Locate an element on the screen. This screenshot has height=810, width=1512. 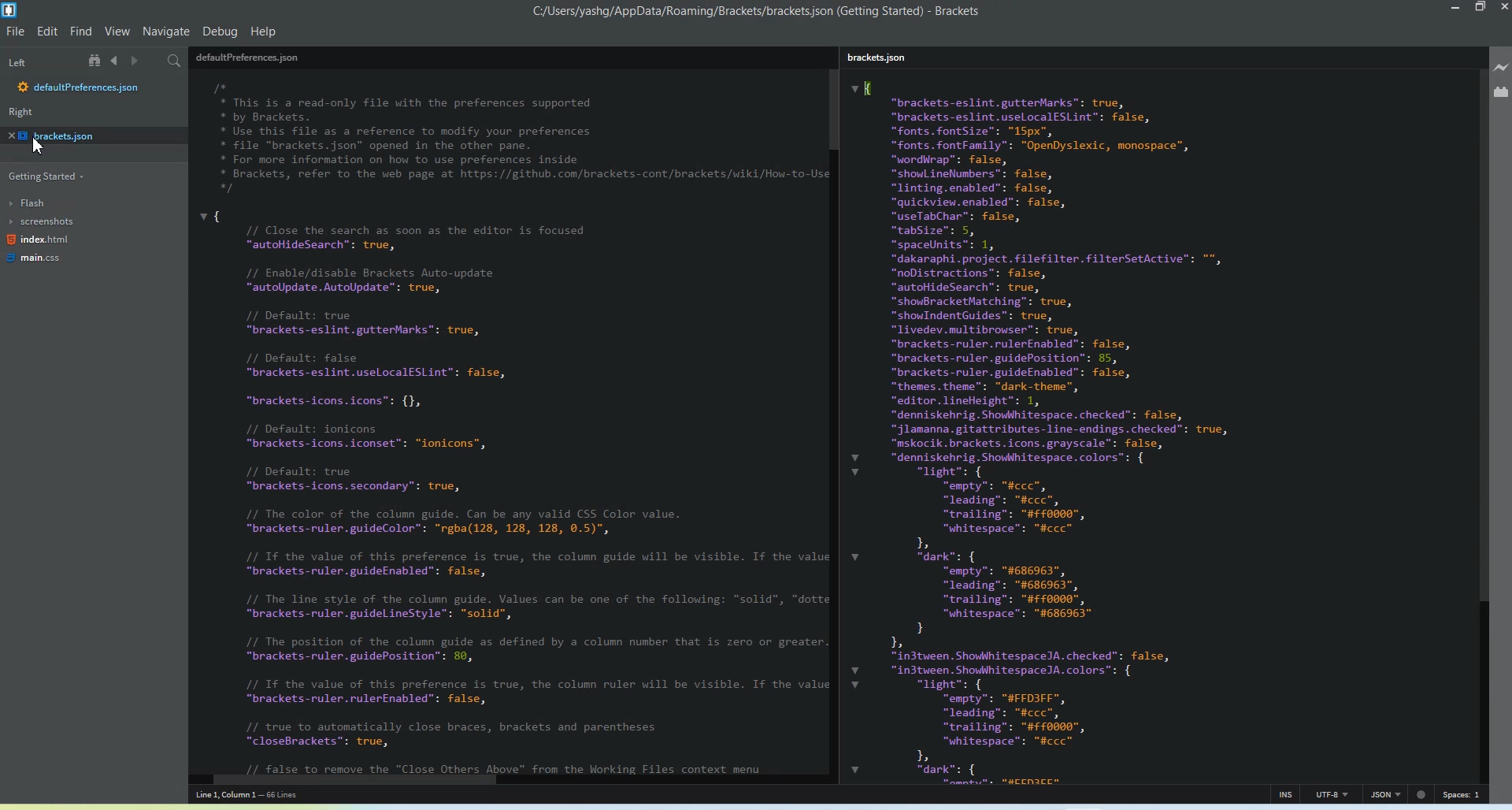
I
"brackets-eslint.gutterMarks”: true,
"brackets-eslint.uselocalESLint": false,
"fonts. fontSize": "15px”,
"fonts. fontFamily": "OpenDyslexic, monospace”,
"wordWrap™: false,
"shoul ineNumbers”: false,
"linting.enabled”: false,
"quickview.enabled”: false,
"useTabChar": false,
"tabSize": 5,
"spaceUnits™: 1,
"dakaraphi project. filefilter.filterSetActive™: ",
"noDistractions”: false,
autoHideSearch™: true,
"showBracketMatching”: true,
"showIndentGuides”: true,
"livedev.multibrowser”: true,
"brackets-ruler.rulerEnabled”: false,
"brackets-ruler.guidePosition”: 85,
"brackets-ruler.guideEnabled”: false,
"themes. theme": “dark-theme",
“editor.lineHeight”: 1,
"denniskehrig.Showhitespace. checked”: false,
"jlamanna.gitattributes-line-endings. checked": true,
"mskocik.brackets.icons.grayscale”: false,
"denniskehrig. Showhitespace. colors”: {
"light": {
empty”: "#ccc”,
leading”: “#ccc”,
“trailing”: "#ff0000",
“whitespace”: "#ccc”
1
"dark": {
empty”: "#686963",
"leading": "#686963",
"trailing": "#ff0000",
“whitespace”: "#686963"
}
1,
"in3tween. ShowhlhitespaceJA. checked": false,
"in3tween. Showhlhi tespaceJA. colors”: {
"light": {
empty”: "#FFD3FF",
"leading": “#ccc”,
“trailing”: "#ff0000",
“whitespace”: "#ccc”
1
"dark": { is located at coordinates (1156, 430).